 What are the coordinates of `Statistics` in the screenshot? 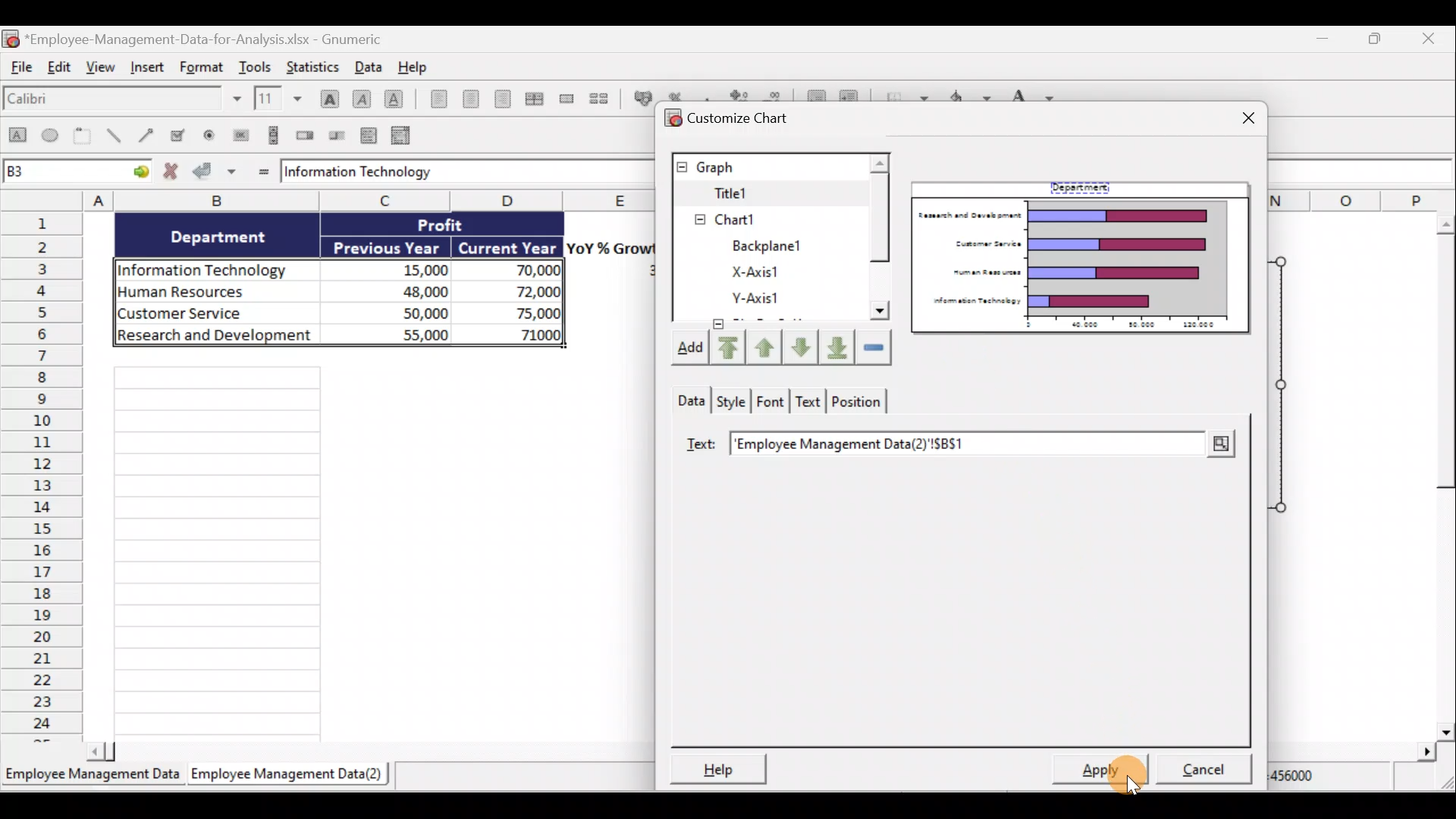 It's located at (317, 66).